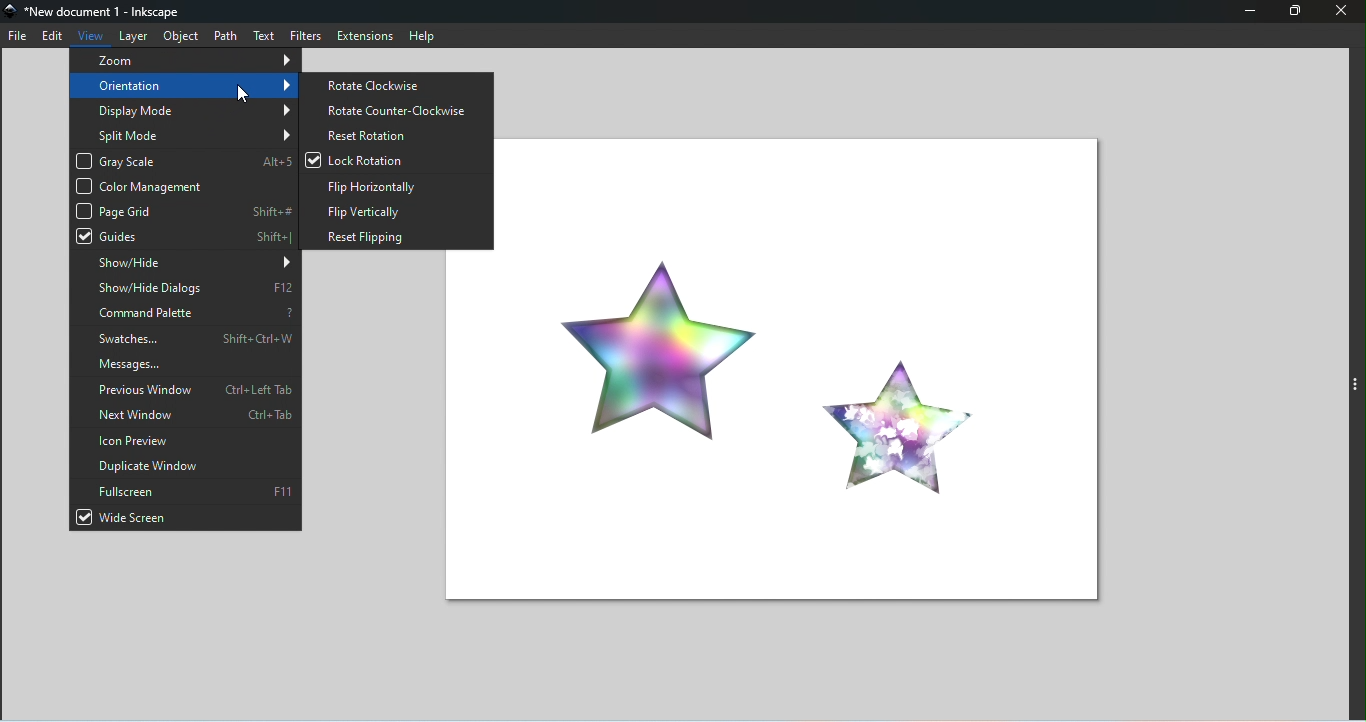  What do you see at coordinates (396, 110) in the screenshot?
I see `Rotate counter-clockwise` at bounding box center [396, 110].